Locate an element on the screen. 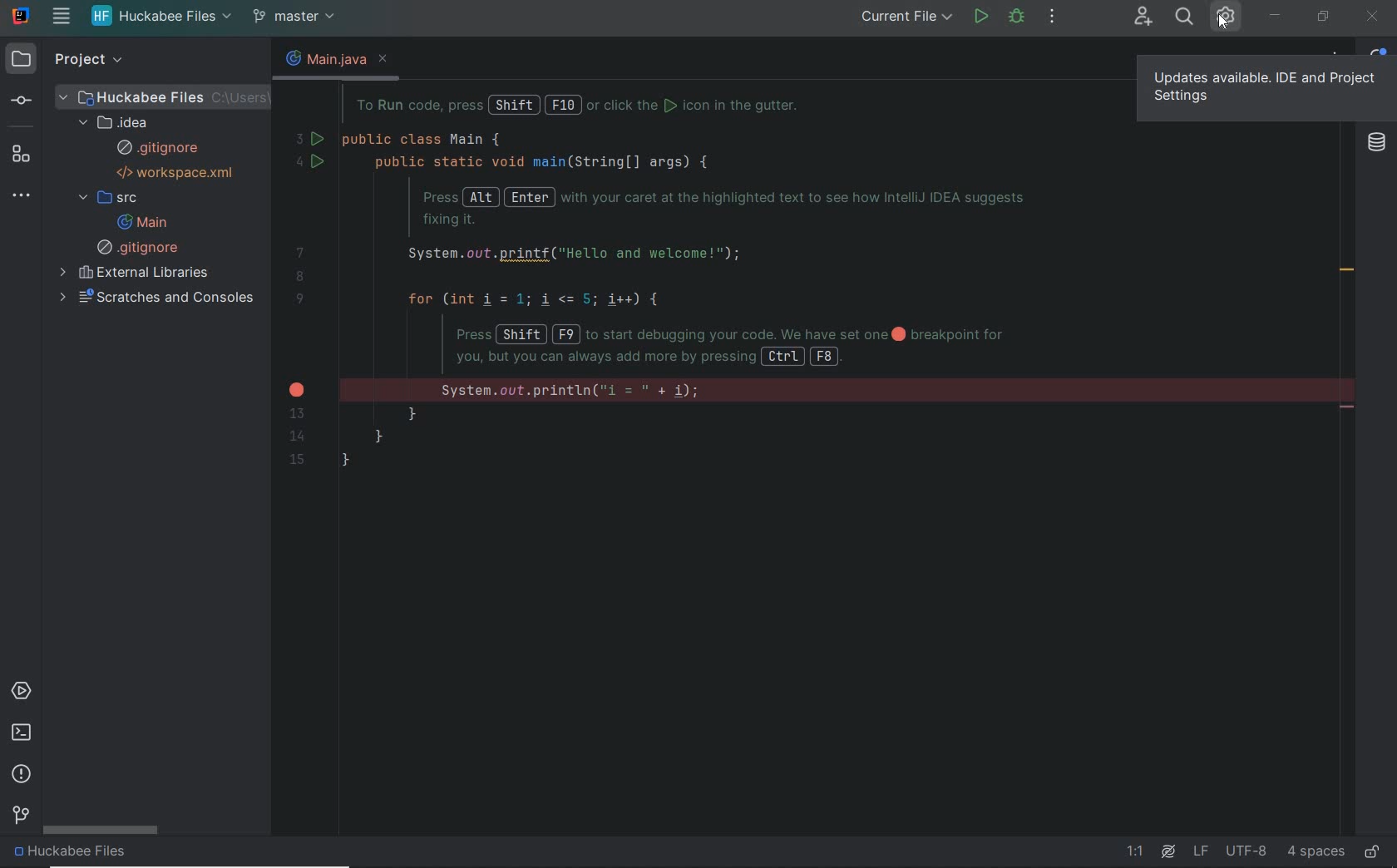 This screenshot has height=868, width=1397. restore down is located at coordinates (1325, 17).